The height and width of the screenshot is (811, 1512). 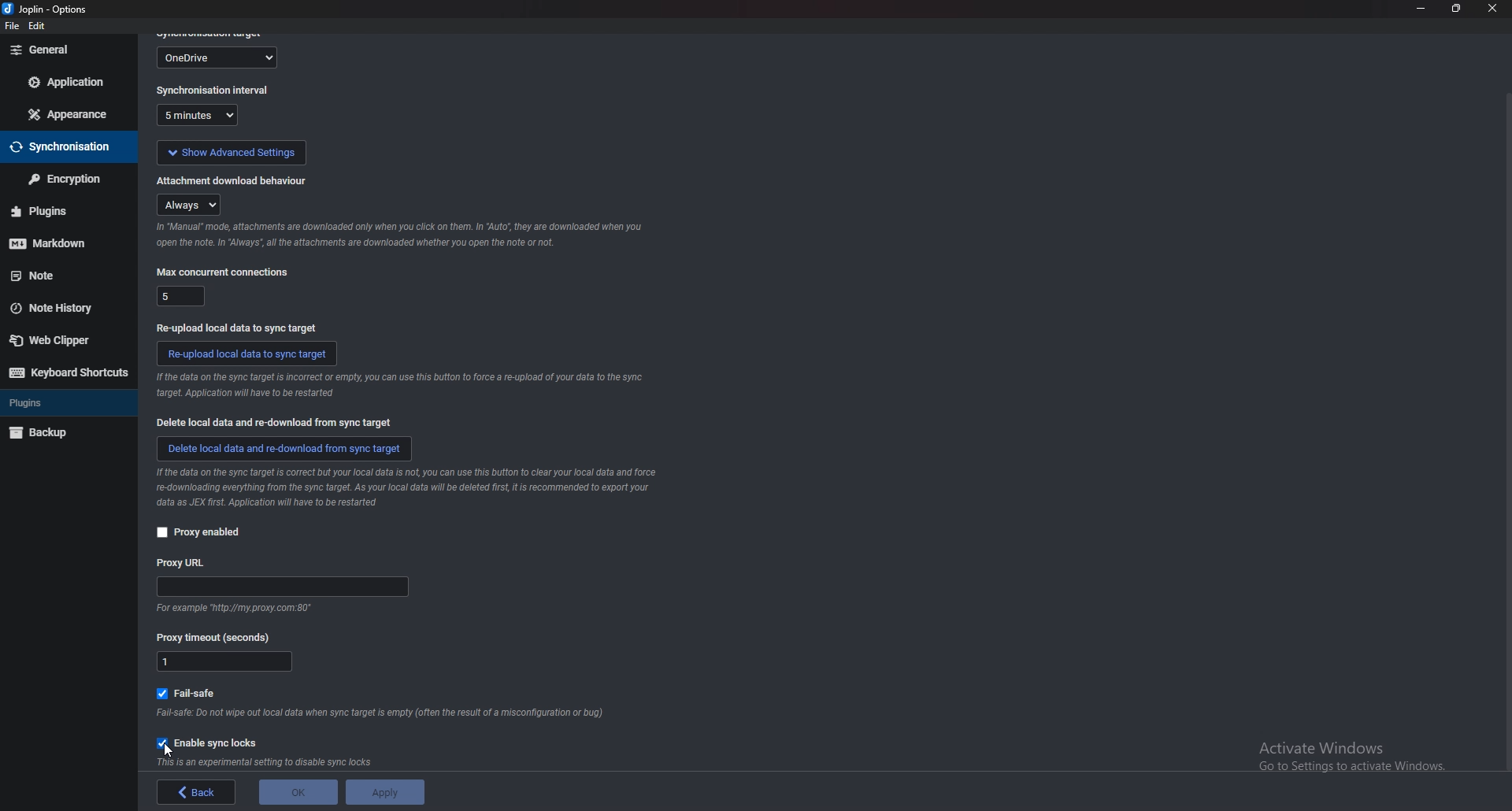 What do you see at coordinates (233, 179) in the screenshot?
I see `attachment download behaviour` at bounding box center [233, 179].